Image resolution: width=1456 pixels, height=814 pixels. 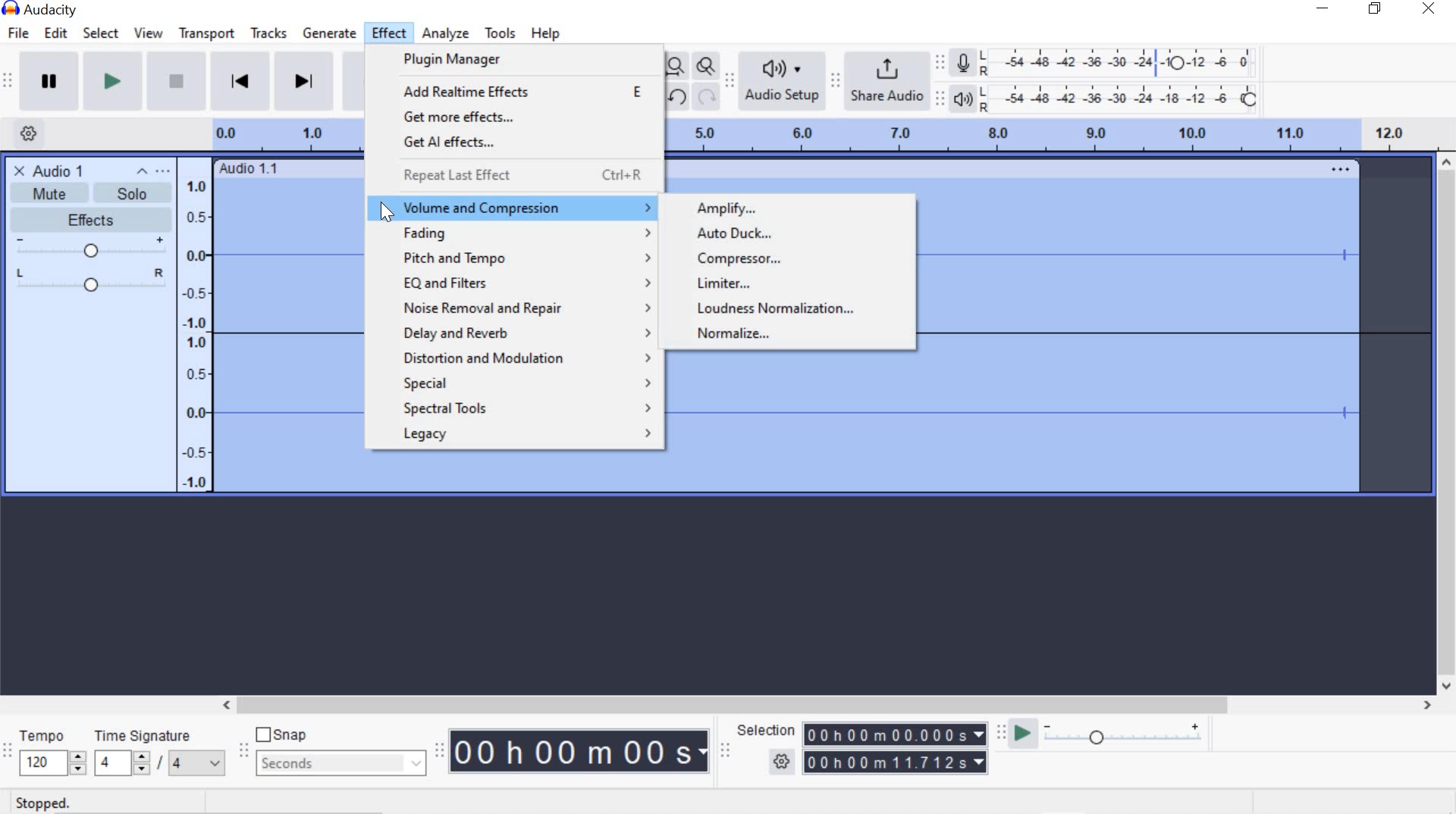 I want to click on analyze, so click(x=446, y=33).